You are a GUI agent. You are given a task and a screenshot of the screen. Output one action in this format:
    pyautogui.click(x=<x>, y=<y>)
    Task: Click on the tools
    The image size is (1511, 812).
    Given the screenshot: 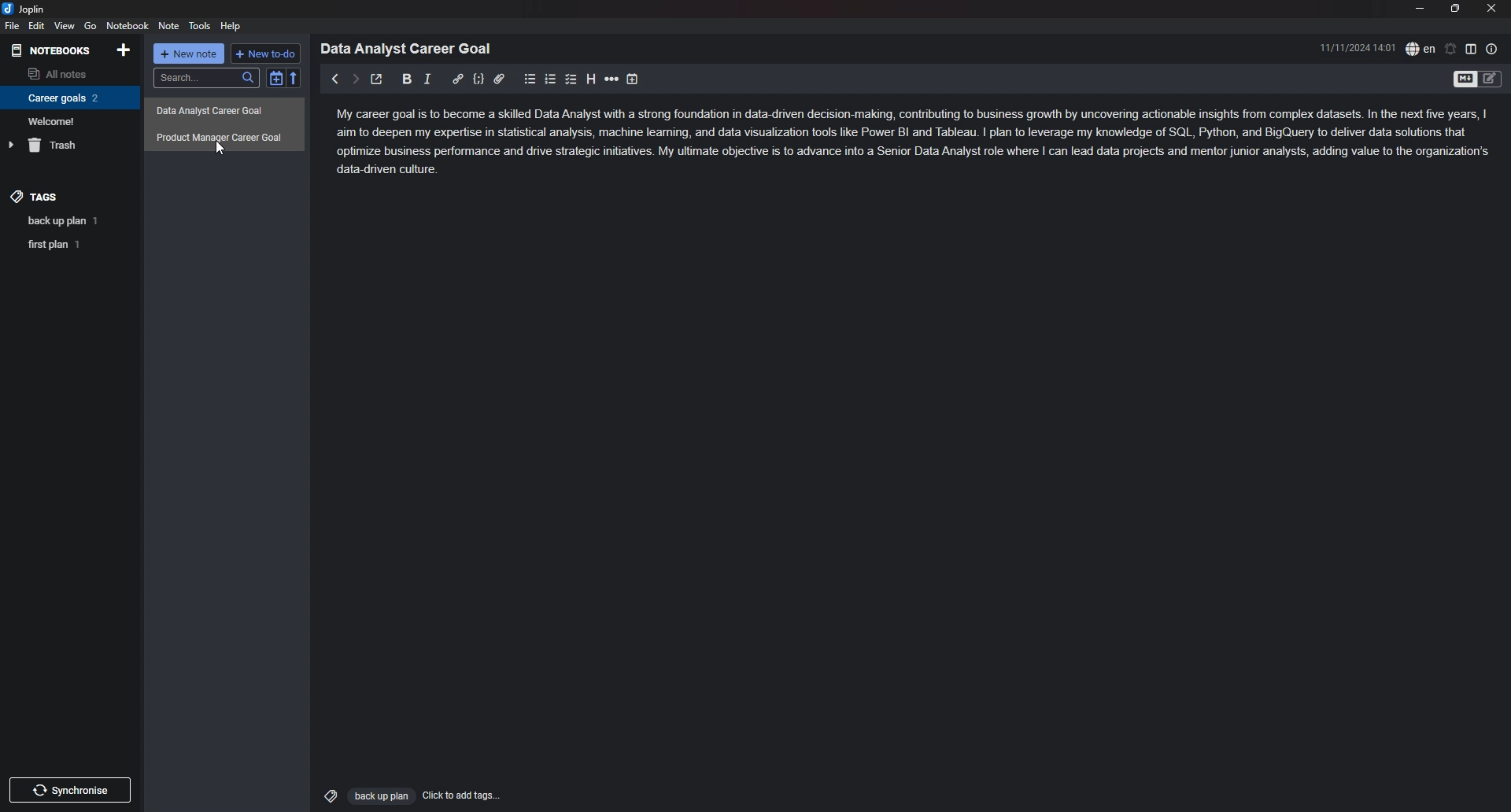 What is the action you would take?
    pyautogui.click(x=200, y=26)
    